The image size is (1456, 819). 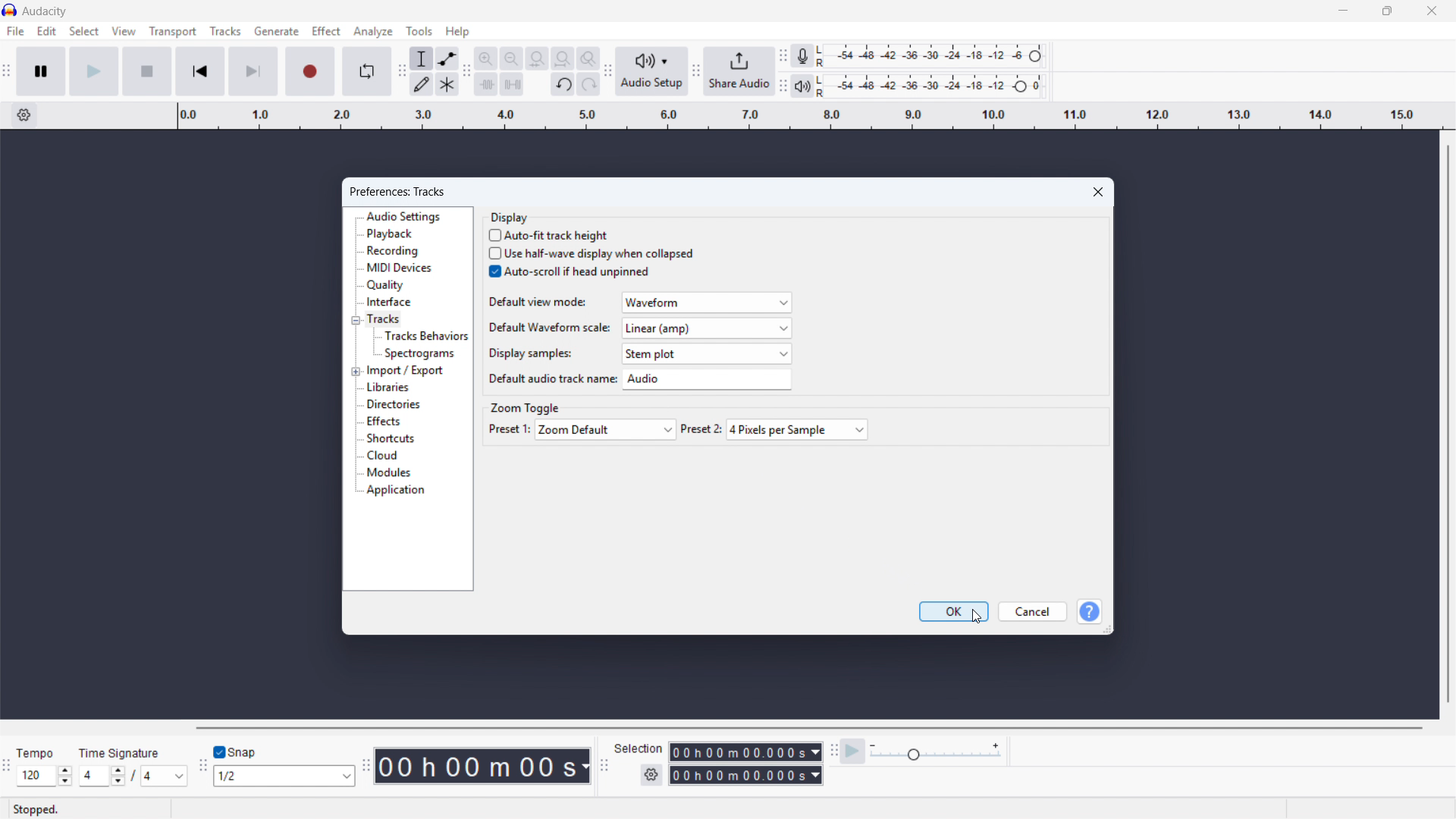 I want to click on undo, so click(x=563, y=85).